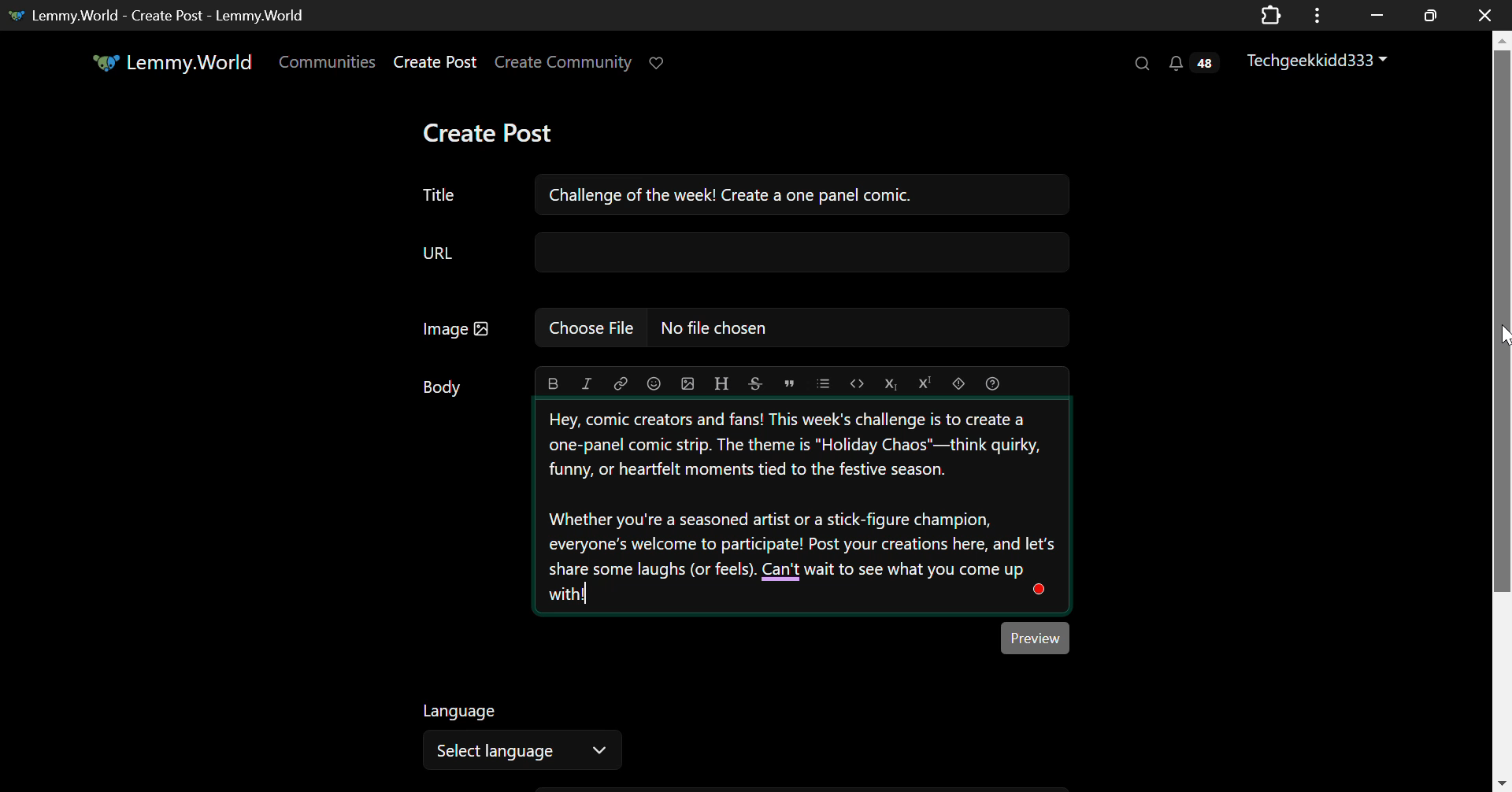 This screenshot has height=792, width=1512. What do you see at coordinates (1432, 15) in the screenshot?
I see `Minimize Window` at bounding box center [1432, 15].